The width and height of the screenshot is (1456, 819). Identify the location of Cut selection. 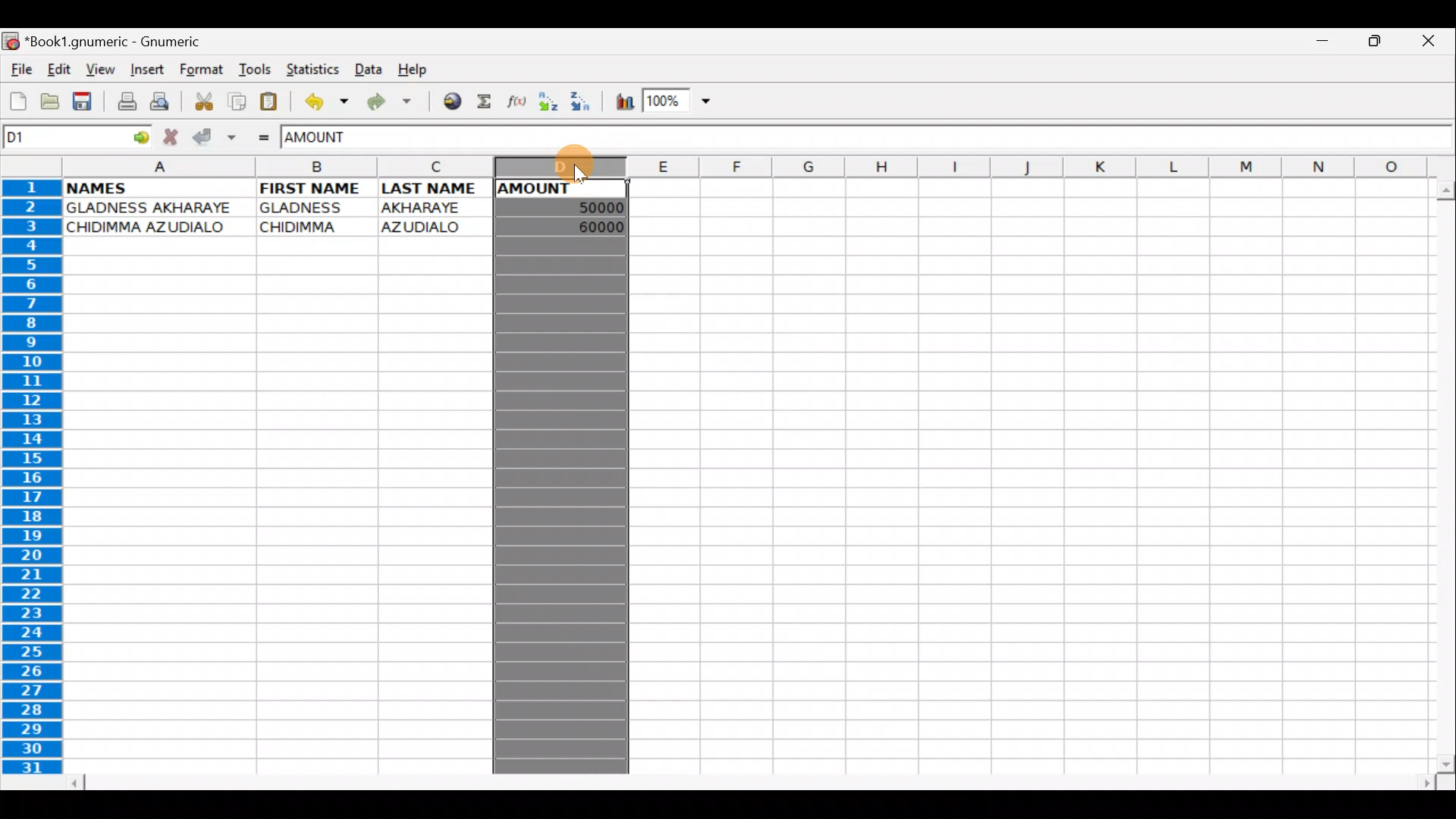
(200, 101).